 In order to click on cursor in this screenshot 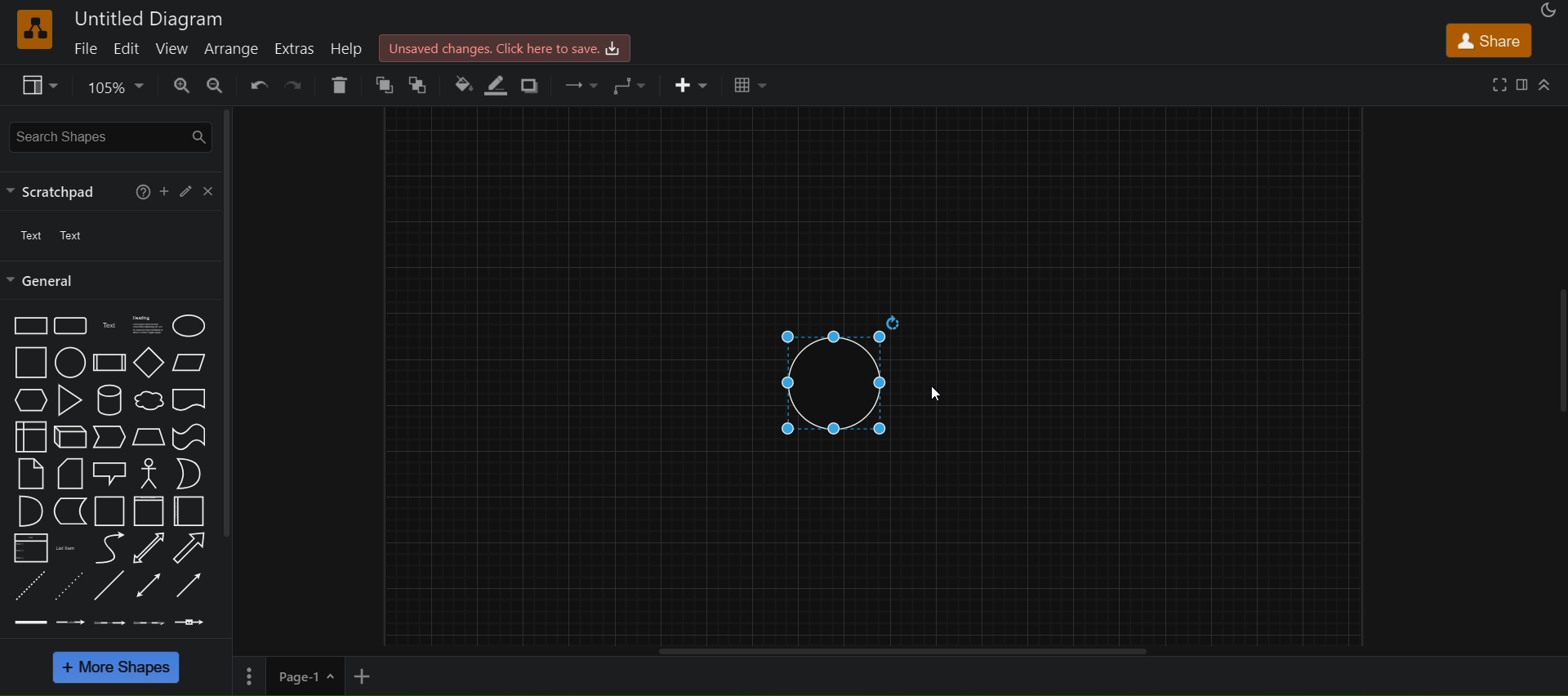, I will do `click(937, 394)`.